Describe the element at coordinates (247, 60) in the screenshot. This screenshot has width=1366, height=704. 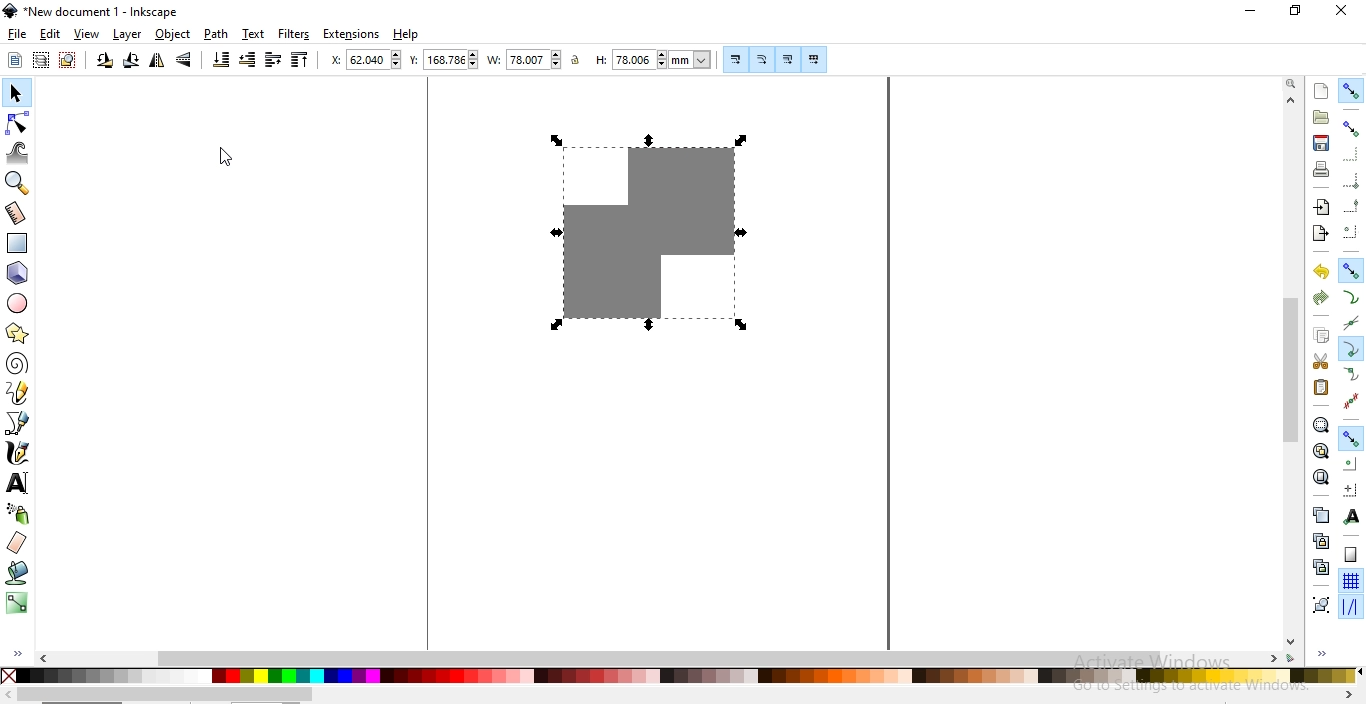
I see `lower selection by one step` at that location.